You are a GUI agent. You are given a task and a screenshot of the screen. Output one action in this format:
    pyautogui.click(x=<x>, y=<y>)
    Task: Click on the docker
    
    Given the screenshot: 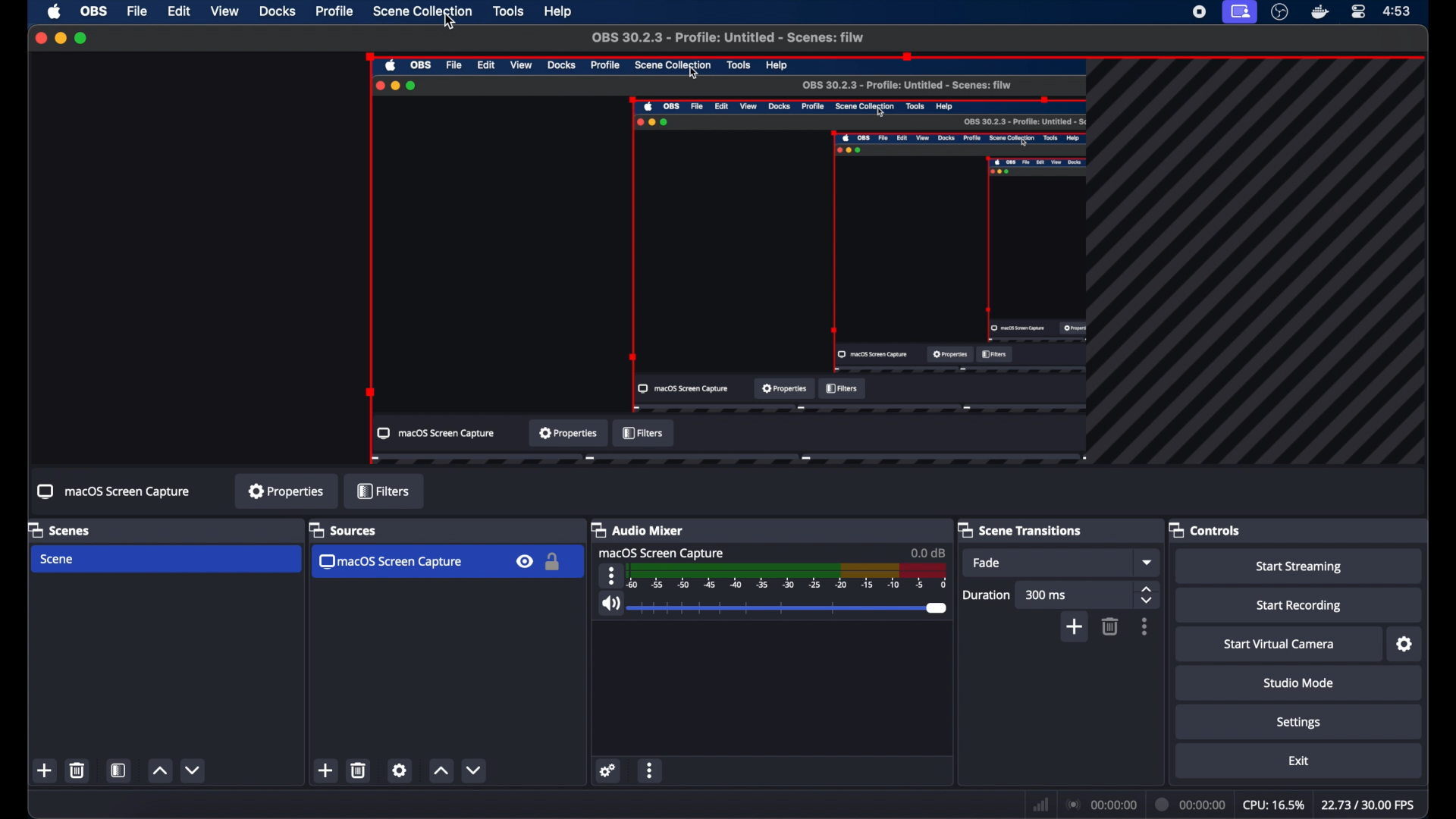 What is the action you would take?
    pyautogui.click(x=1318, y=12)
    